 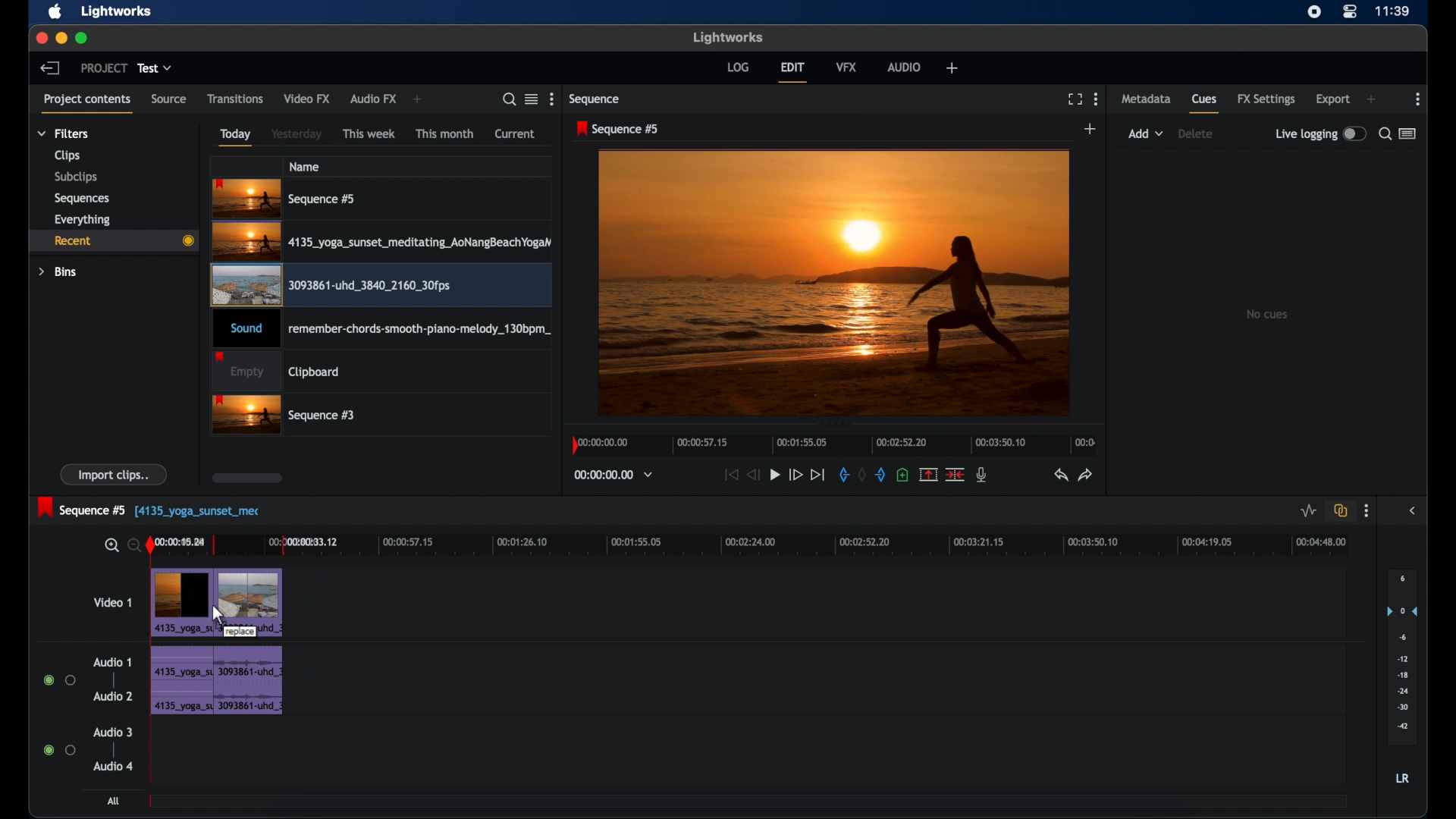 What do you see at coordinates (77, 176) in the screenshot?
I see `subclips` at bounding box center [77, 176].